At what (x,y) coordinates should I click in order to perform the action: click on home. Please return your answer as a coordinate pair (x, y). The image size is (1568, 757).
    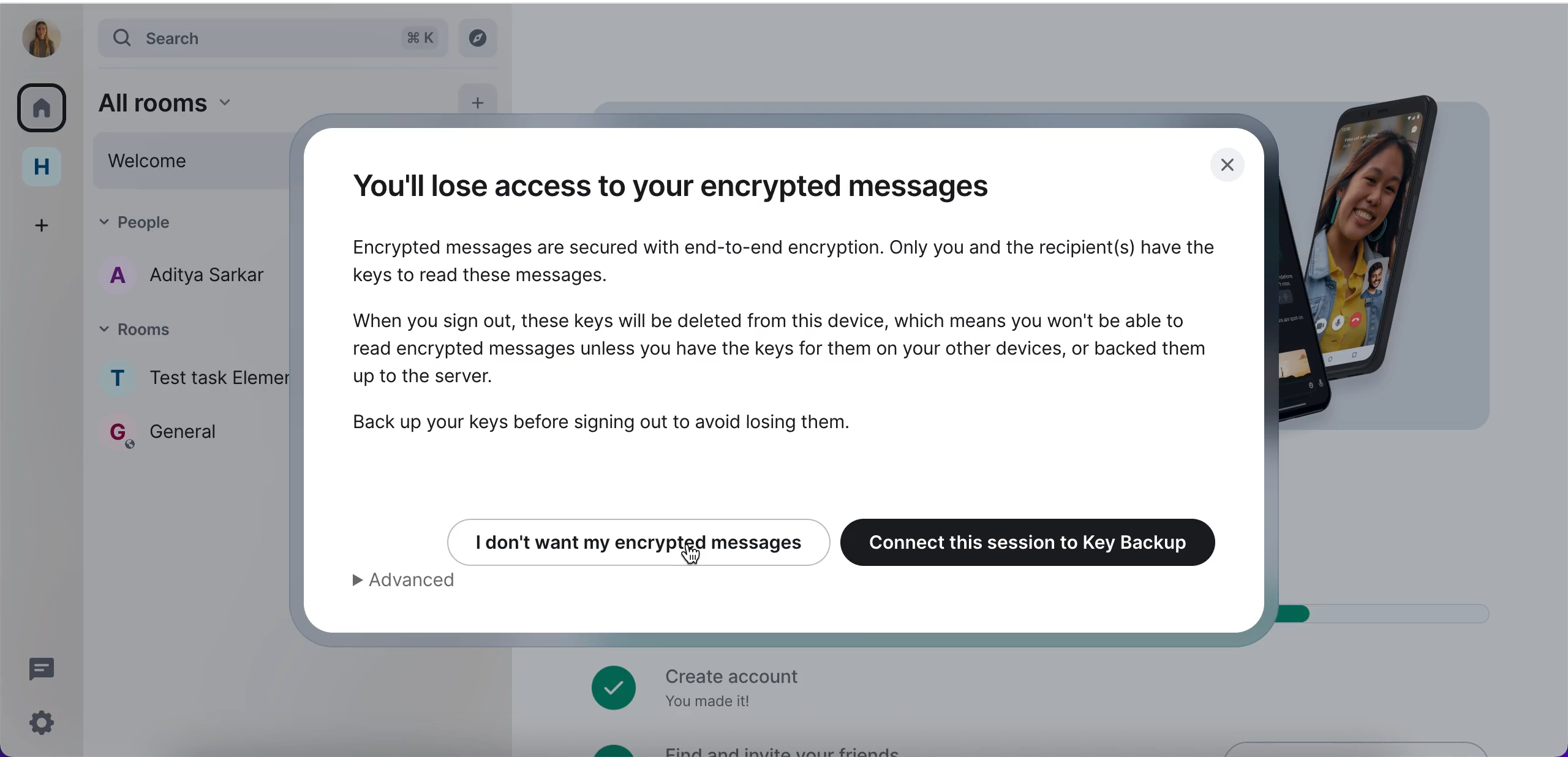
    Looking at the image, I should click on (45, 165).